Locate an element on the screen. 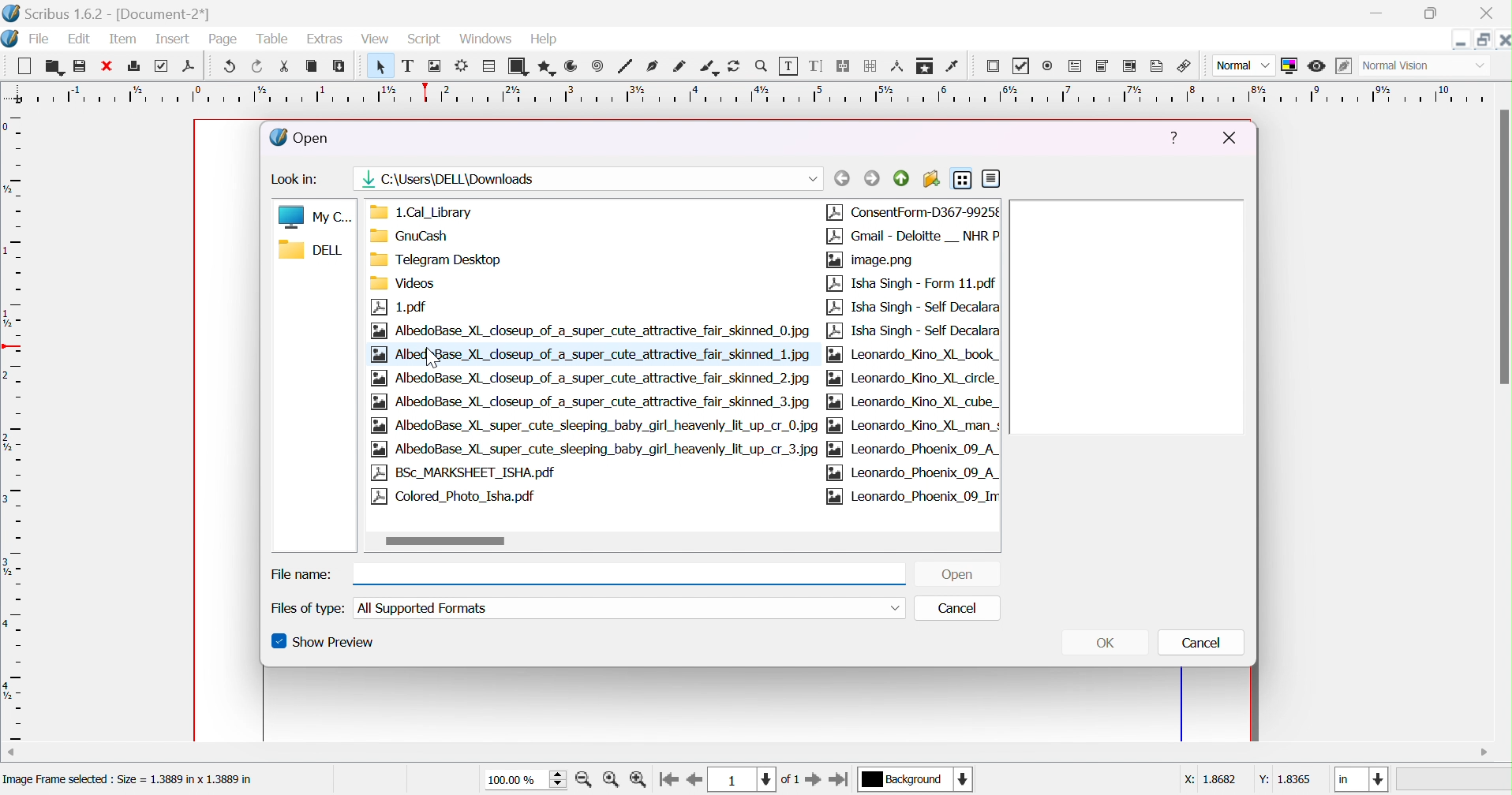 This screenshot has width=1512, height=795. go to first page is located at coordinates (670, 779).